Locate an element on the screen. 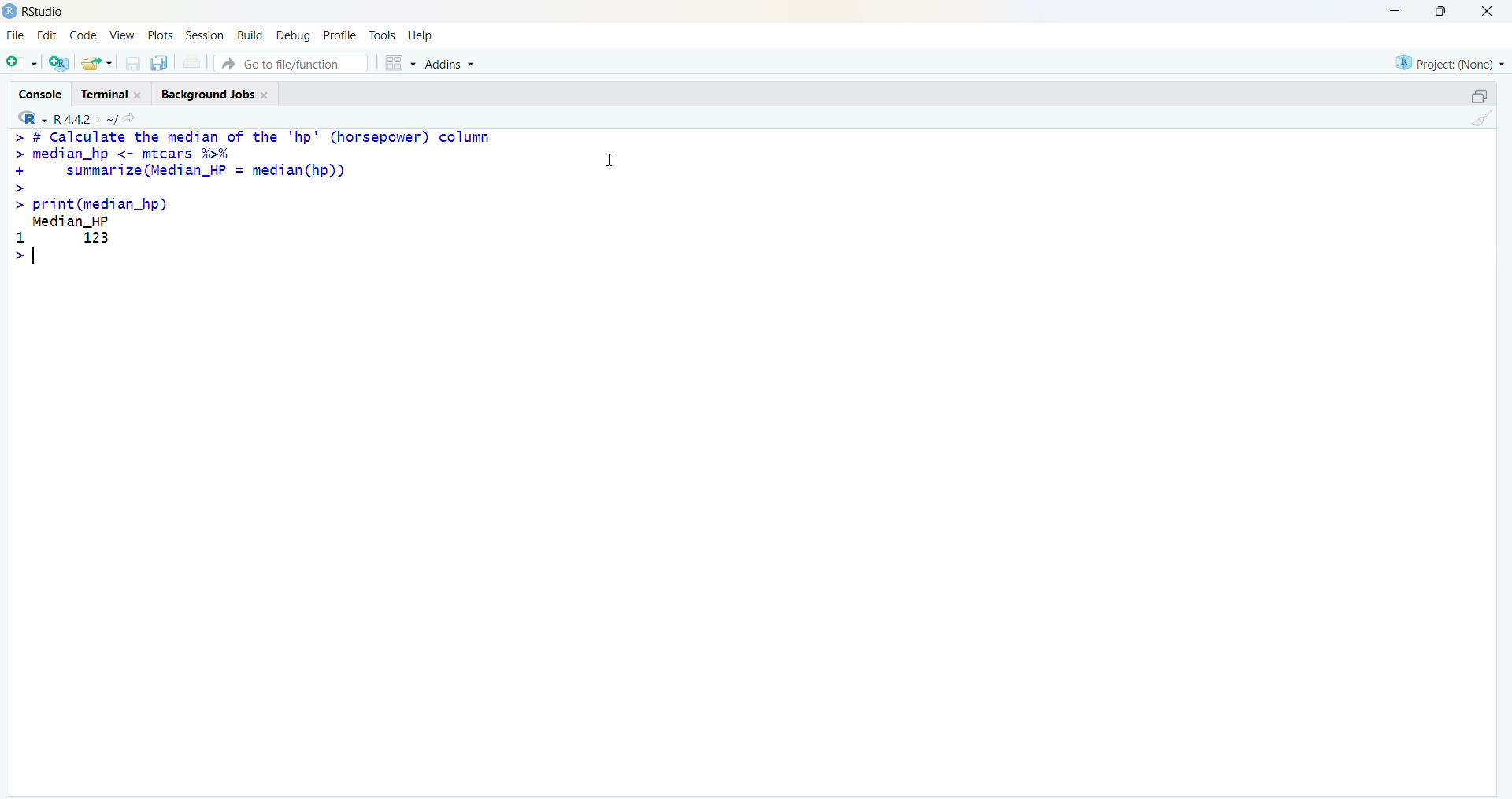 This screenshot has width=1512, height=799. RStudio is located at coordinates (46, 12).